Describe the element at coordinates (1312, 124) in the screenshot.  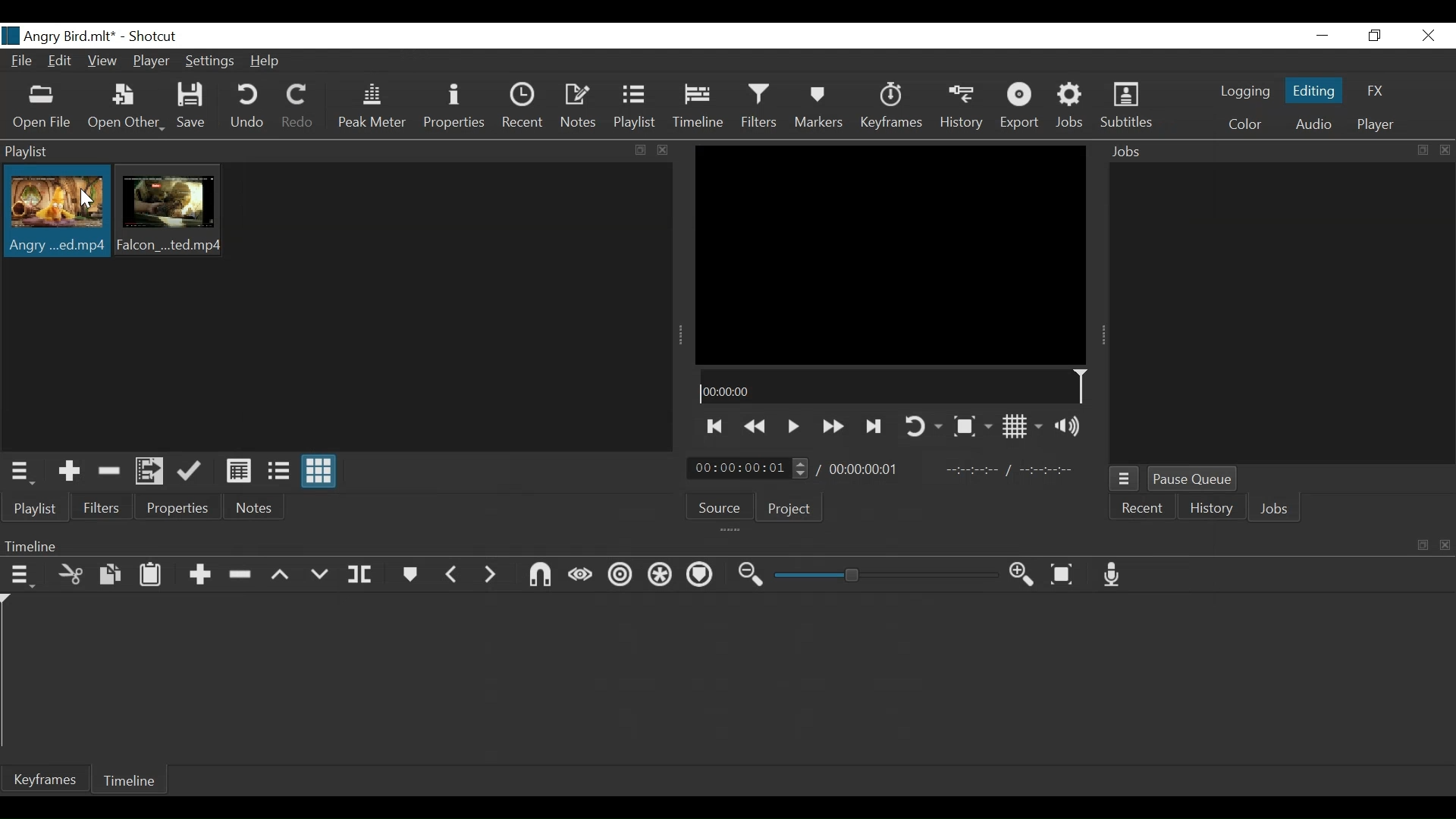
I see `Audio` at that location.